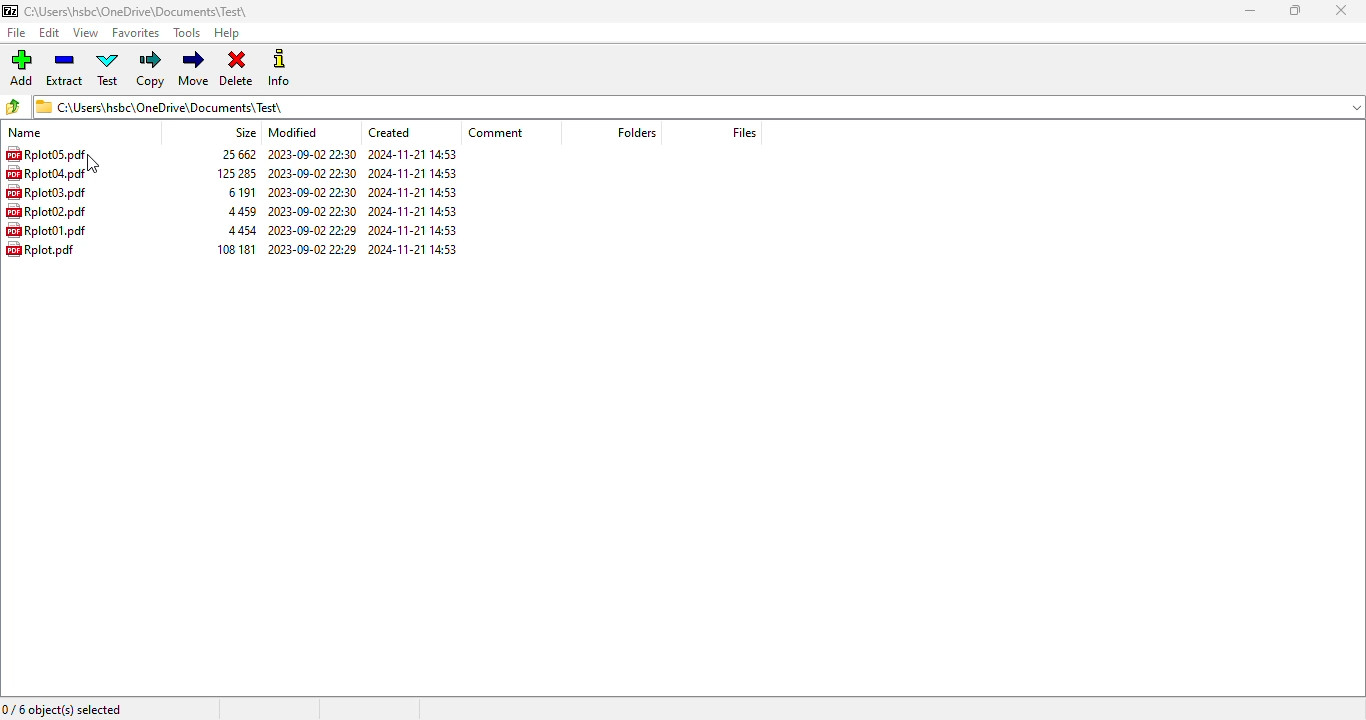 The image size is (1366, 720). What do you see at coordinates (293, 132) in the screenshot?
I see `modified` at bounding box center [293, 132].